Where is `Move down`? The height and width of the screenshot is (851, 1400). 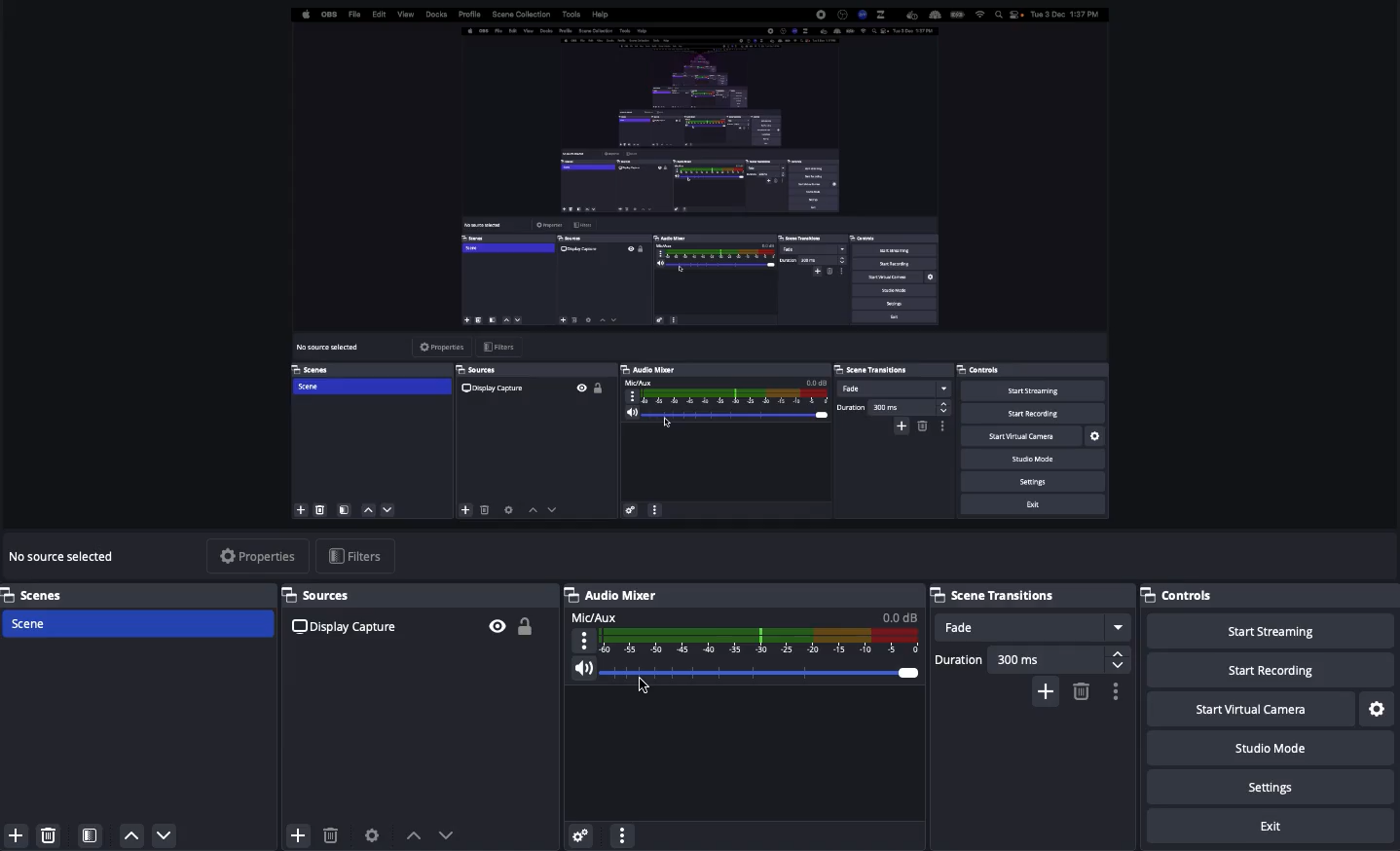 Move down is located at coordinates (447, 834).